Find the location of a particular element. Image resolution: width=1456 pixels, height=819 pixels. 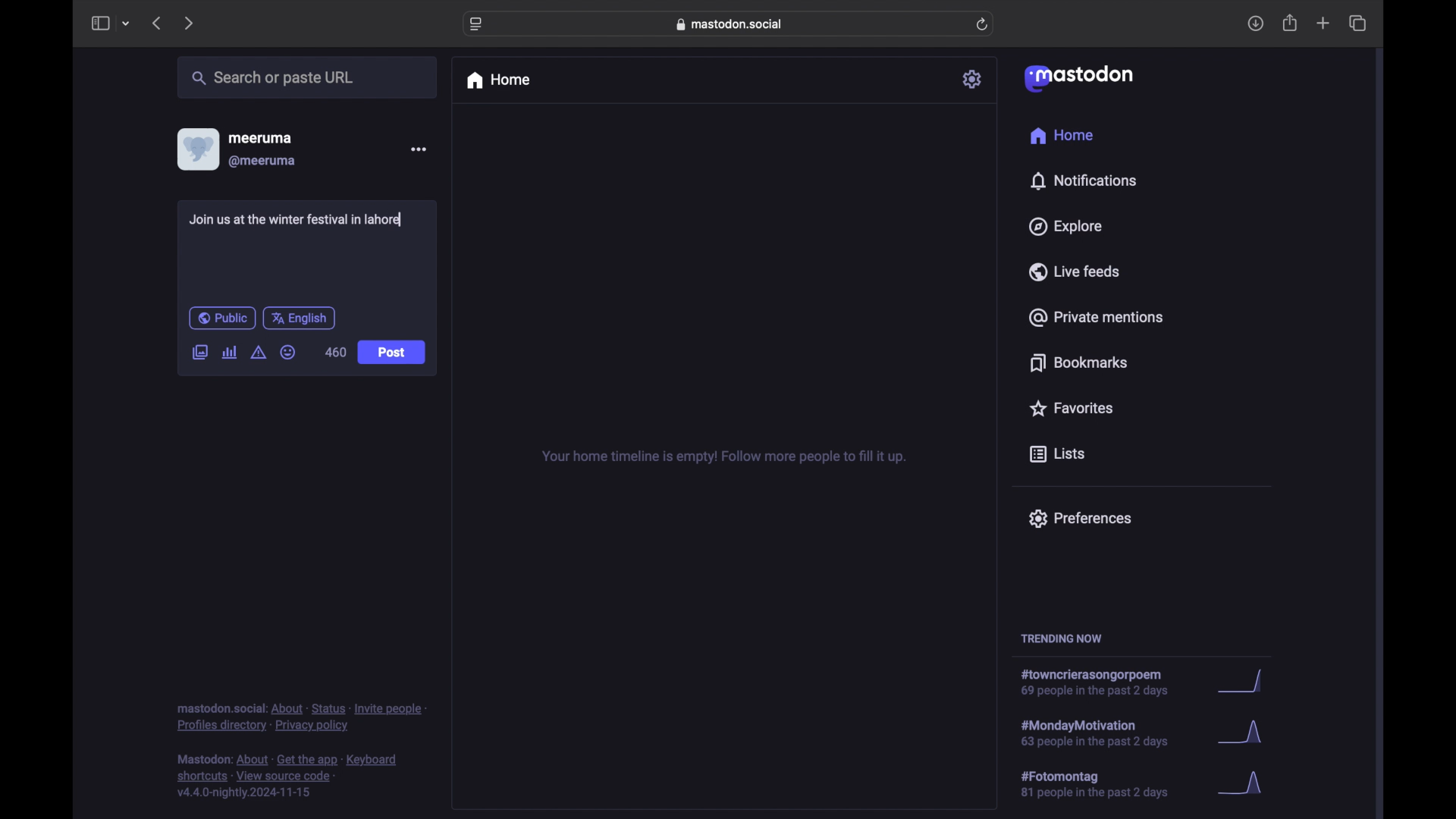

settings is located at coordinates (974, 79).